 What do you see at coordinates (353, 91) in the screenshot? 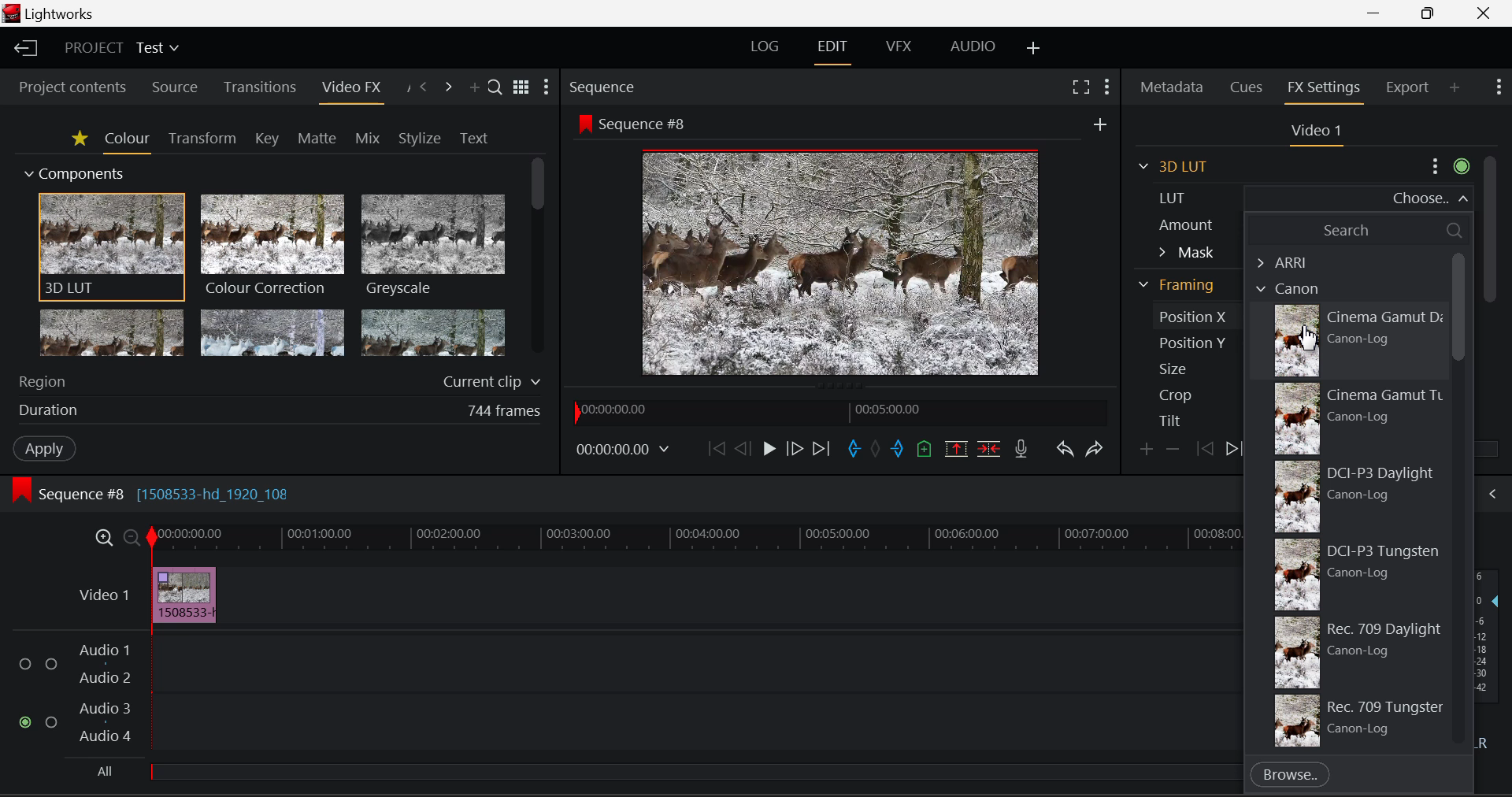
I see `Video FX Panel Open` at bounding box center [353, 91].